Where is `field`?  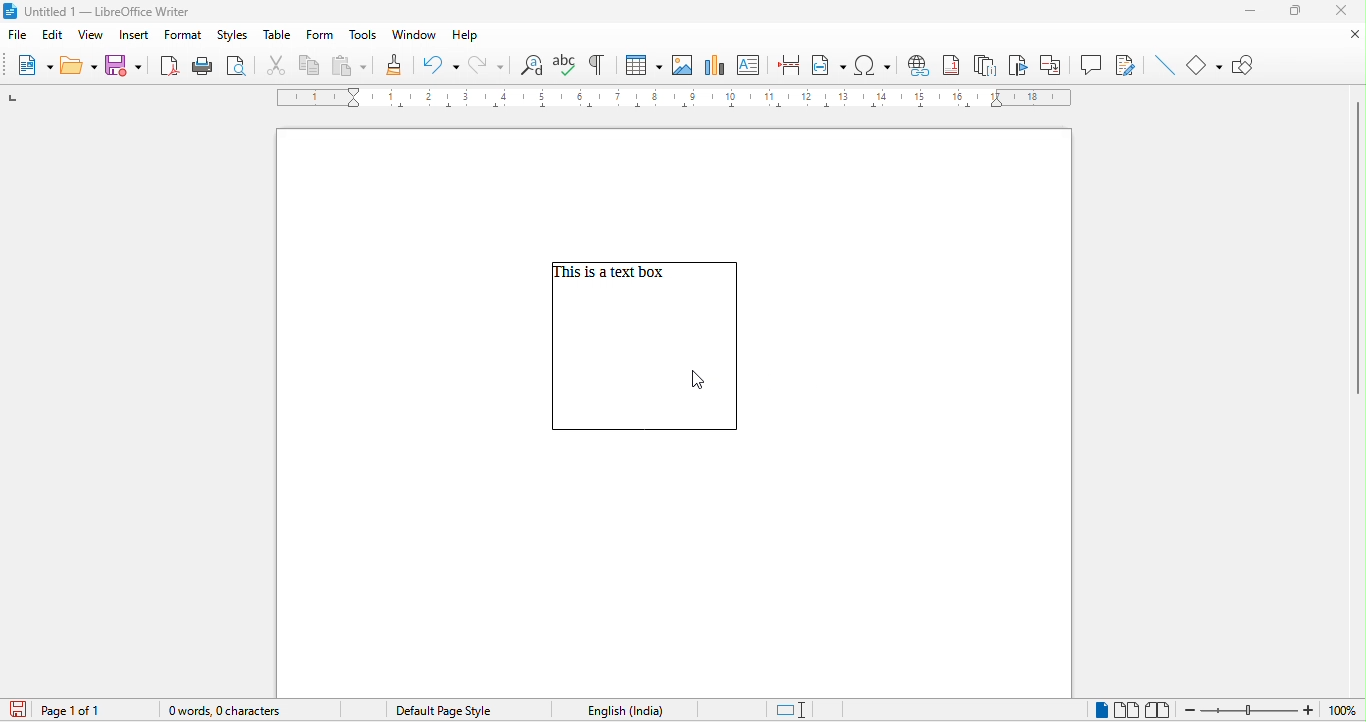 field is located at coordinates (829, 63).